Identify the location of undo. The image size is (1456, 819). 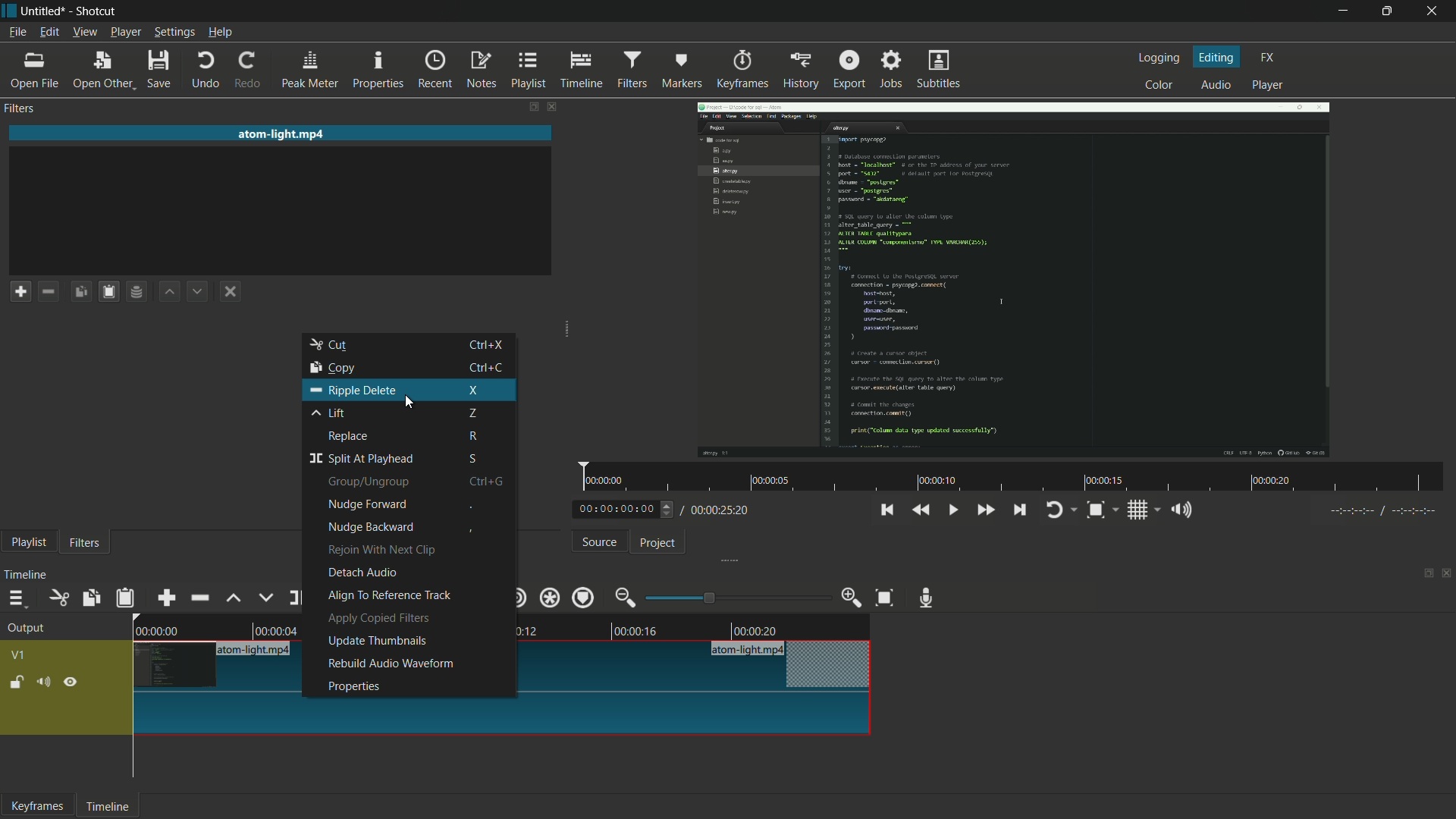
(203, 68).